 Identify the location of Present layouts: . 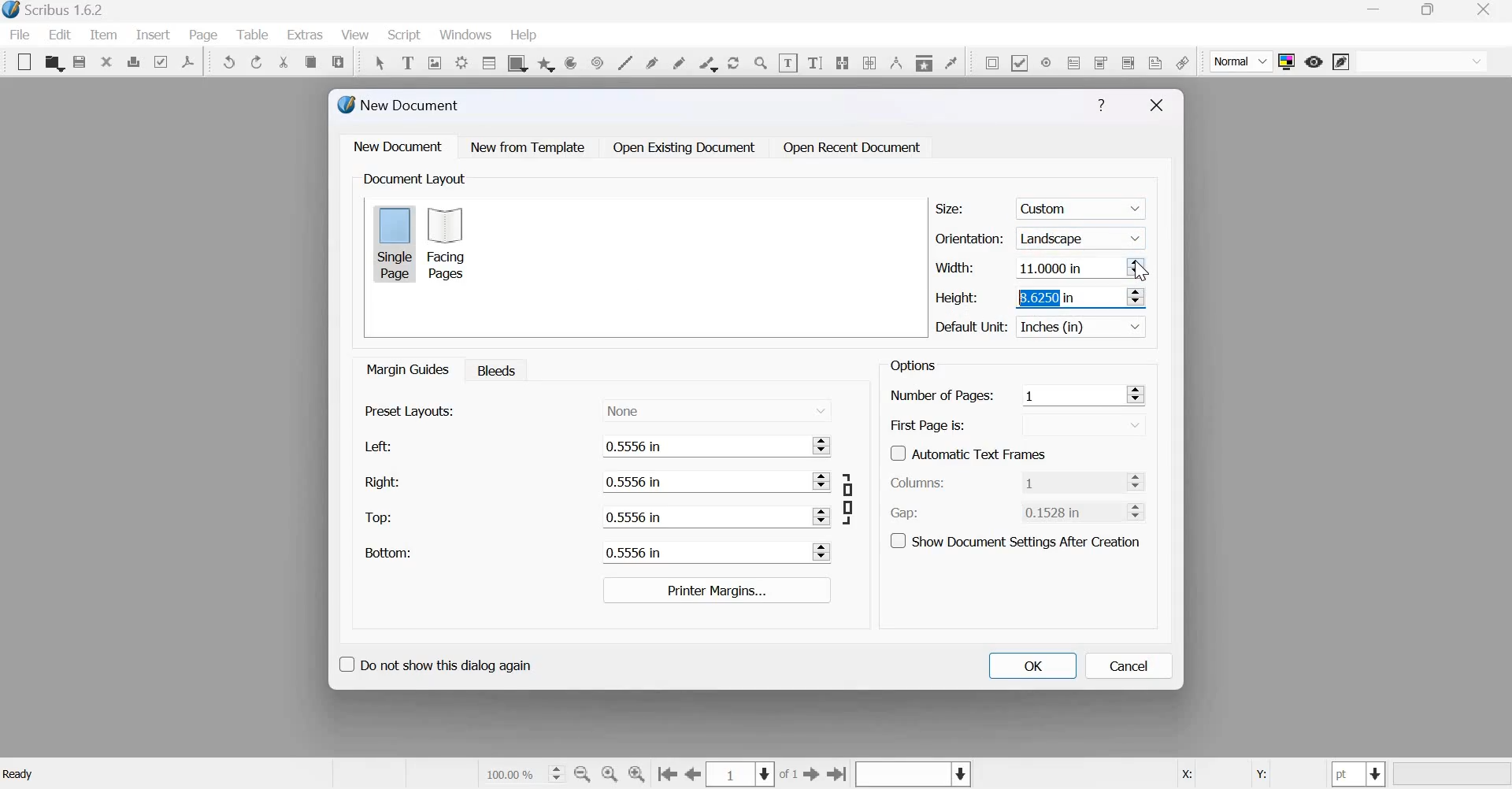
(410, 410).